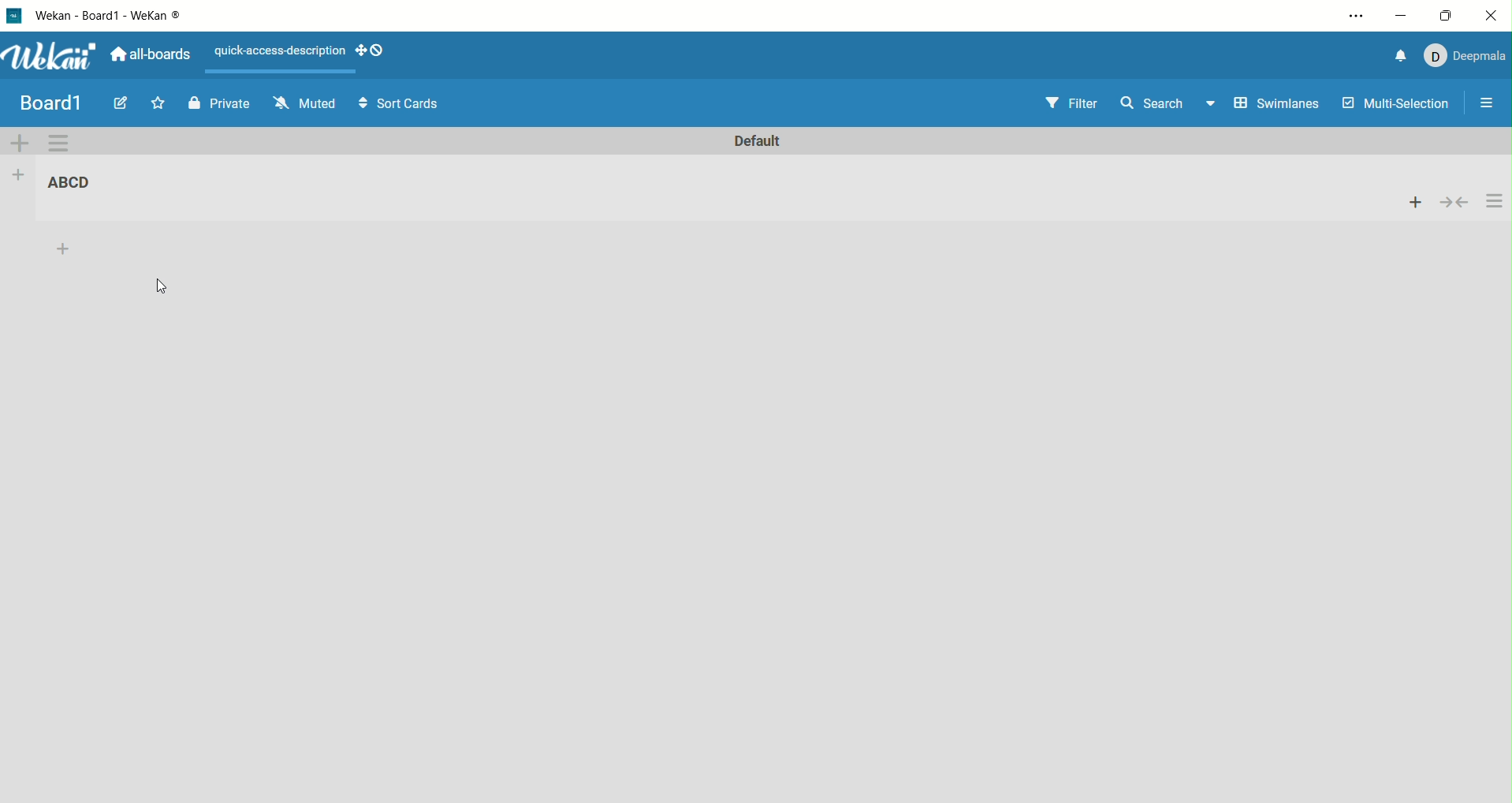  Describe the element at coordinates (760, 142) in the screenshot. I see `default` at that location.